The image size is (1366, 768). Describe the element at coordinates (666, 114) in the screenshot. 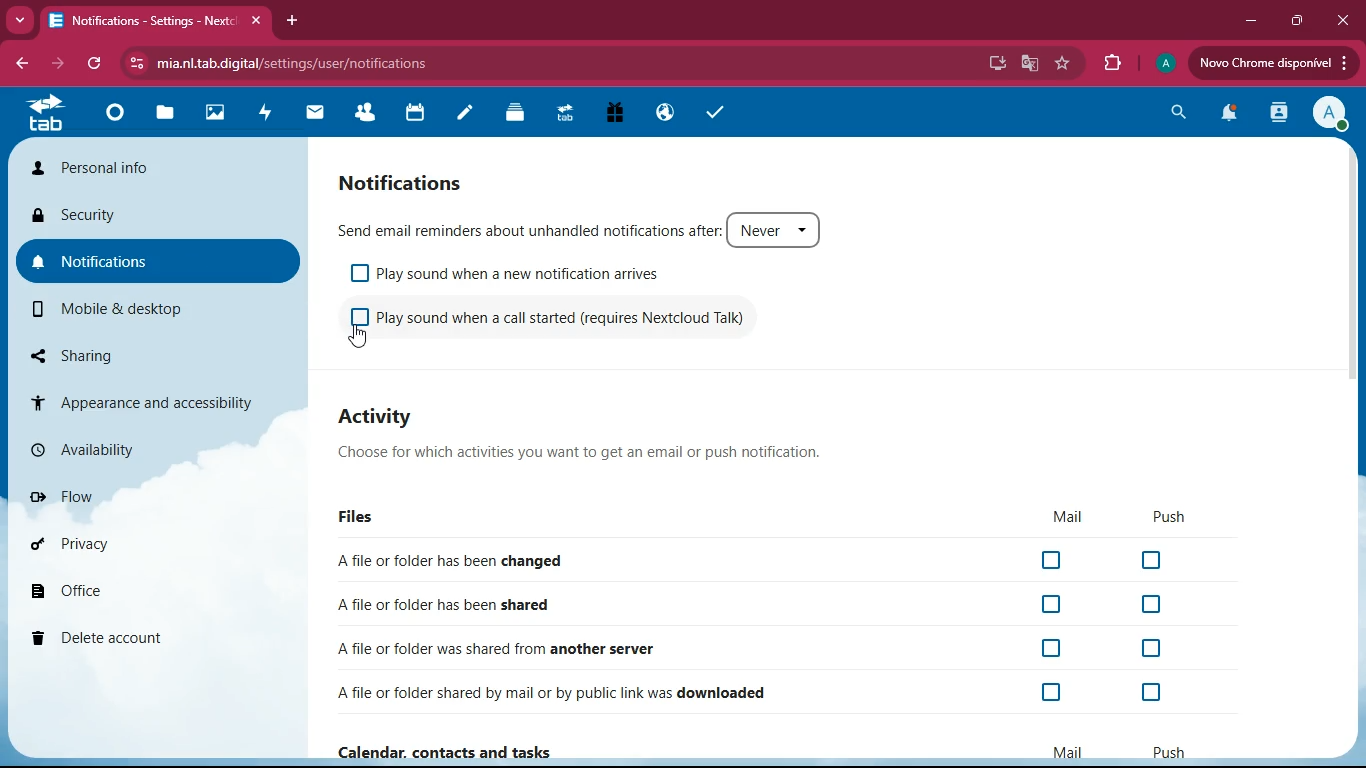

I see `public` at that location.